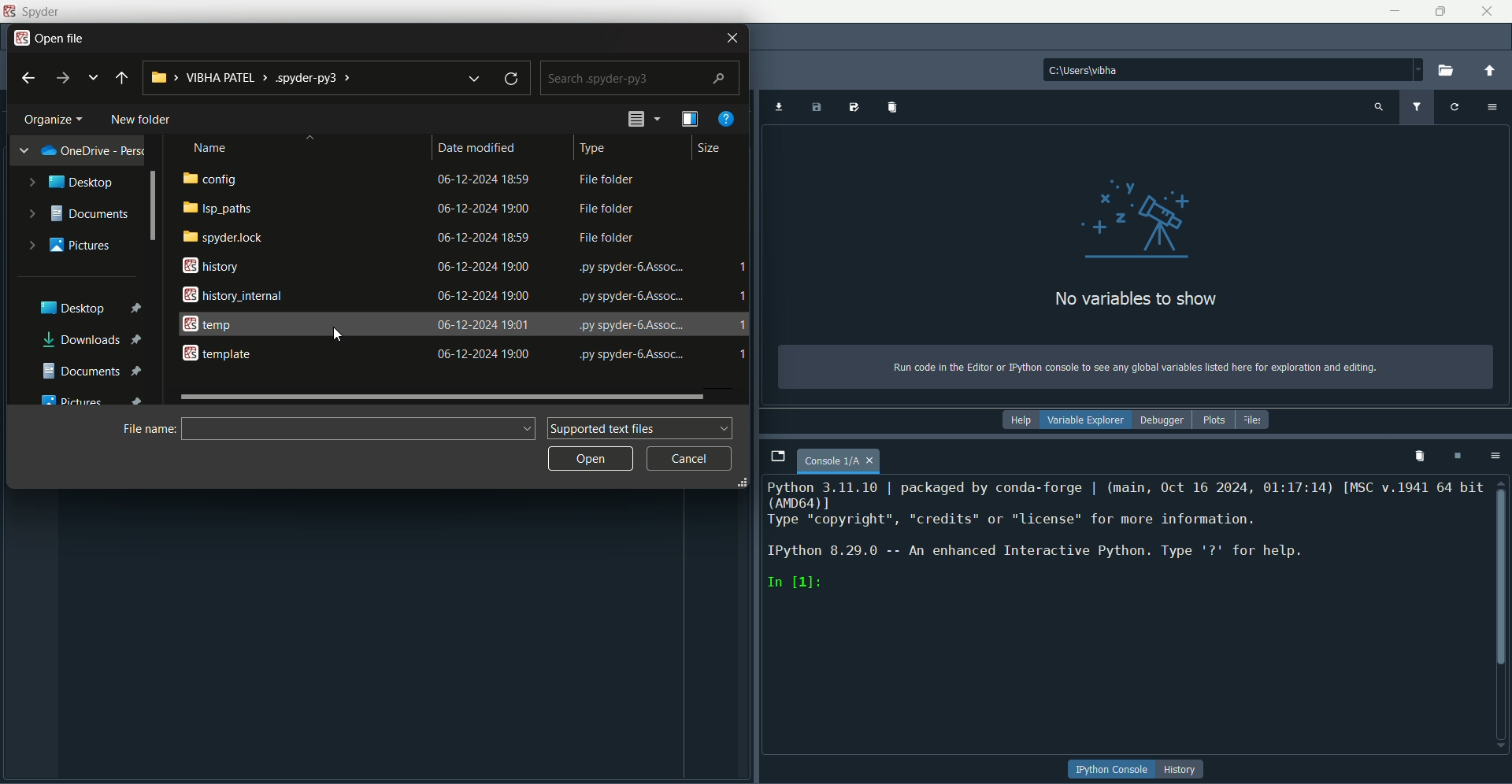 The width and height of the screenshot is (1512, 784). I want to click on date, so click(481, 324).